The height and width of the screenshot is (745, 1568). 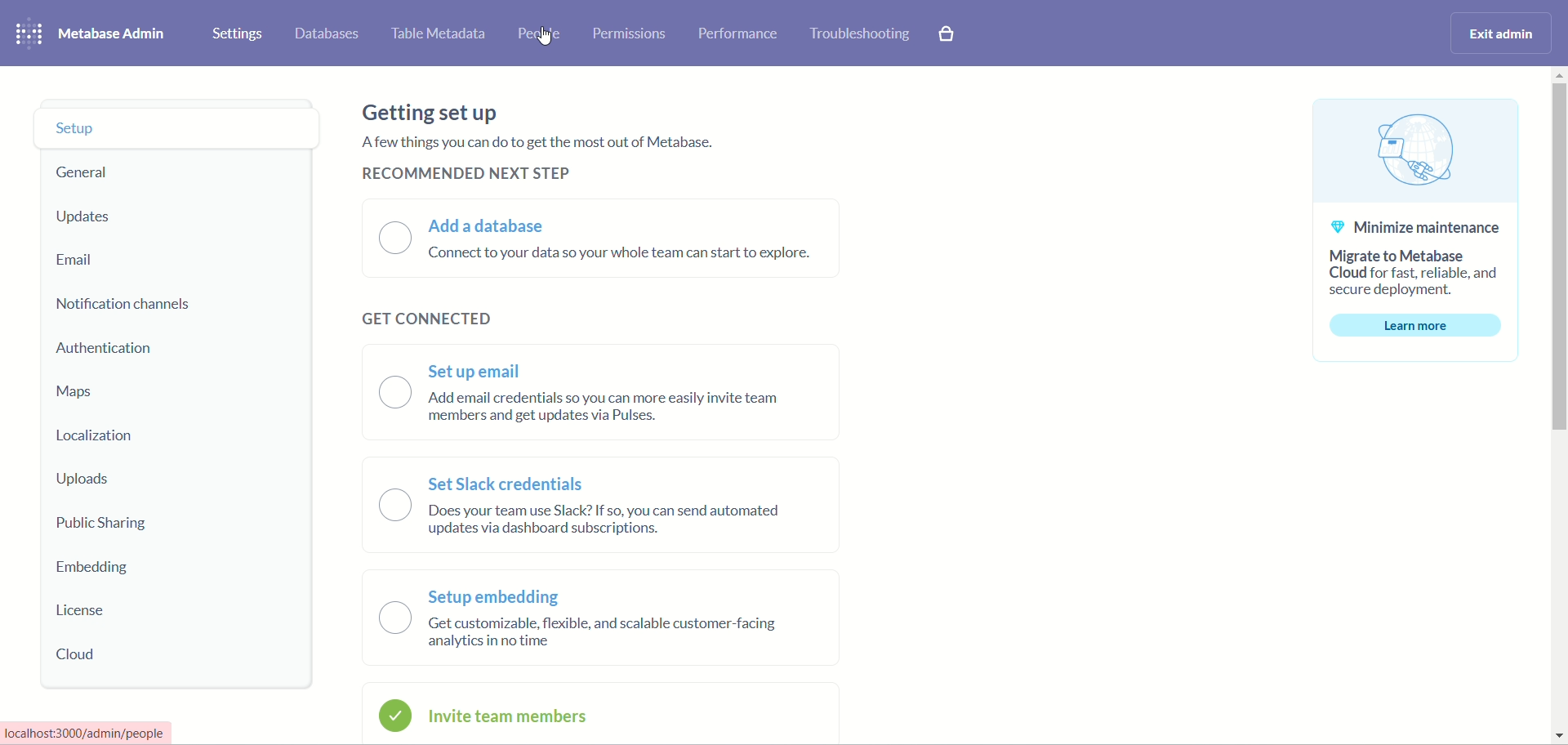 I want to click on toggle button, so click(x=395, y=551).